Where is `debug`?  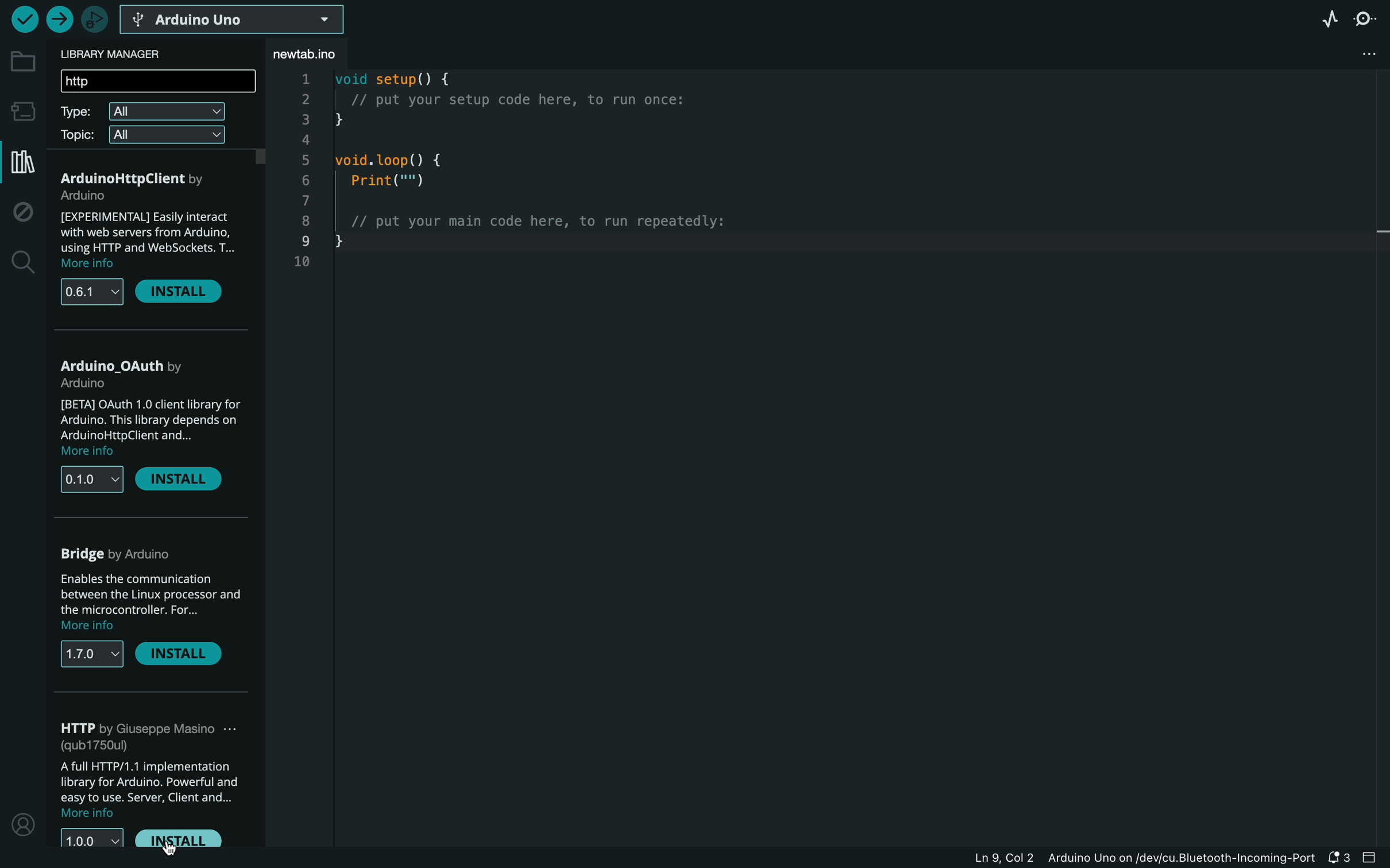
debug is located at coordinates (24, 214).